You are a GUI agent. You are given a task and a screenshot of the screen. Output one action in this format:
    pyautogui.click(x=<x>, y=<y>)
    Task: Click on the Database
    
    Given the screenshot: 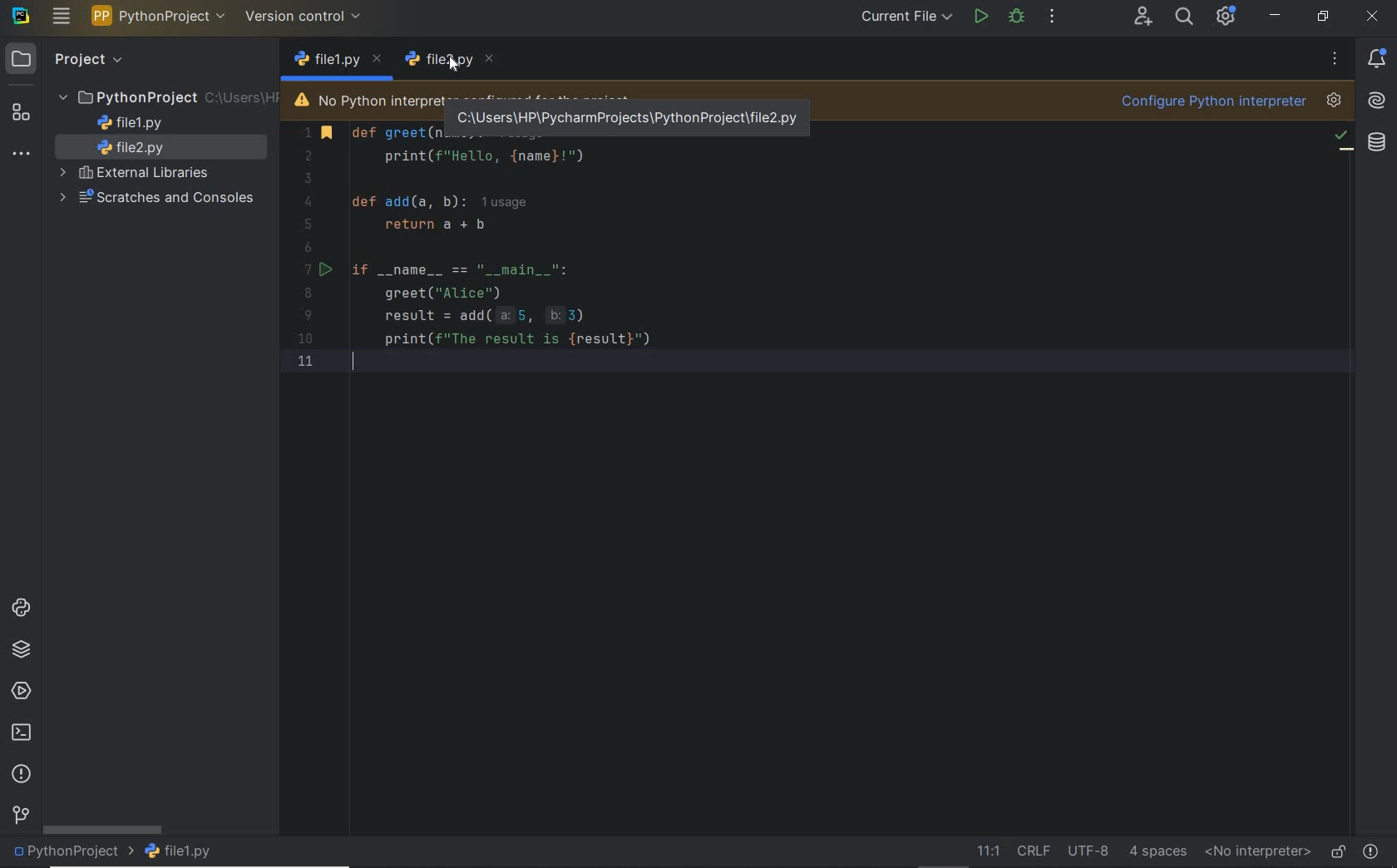 What is the action you would take?
    pyautogui.click(x=1376, y=145)
    